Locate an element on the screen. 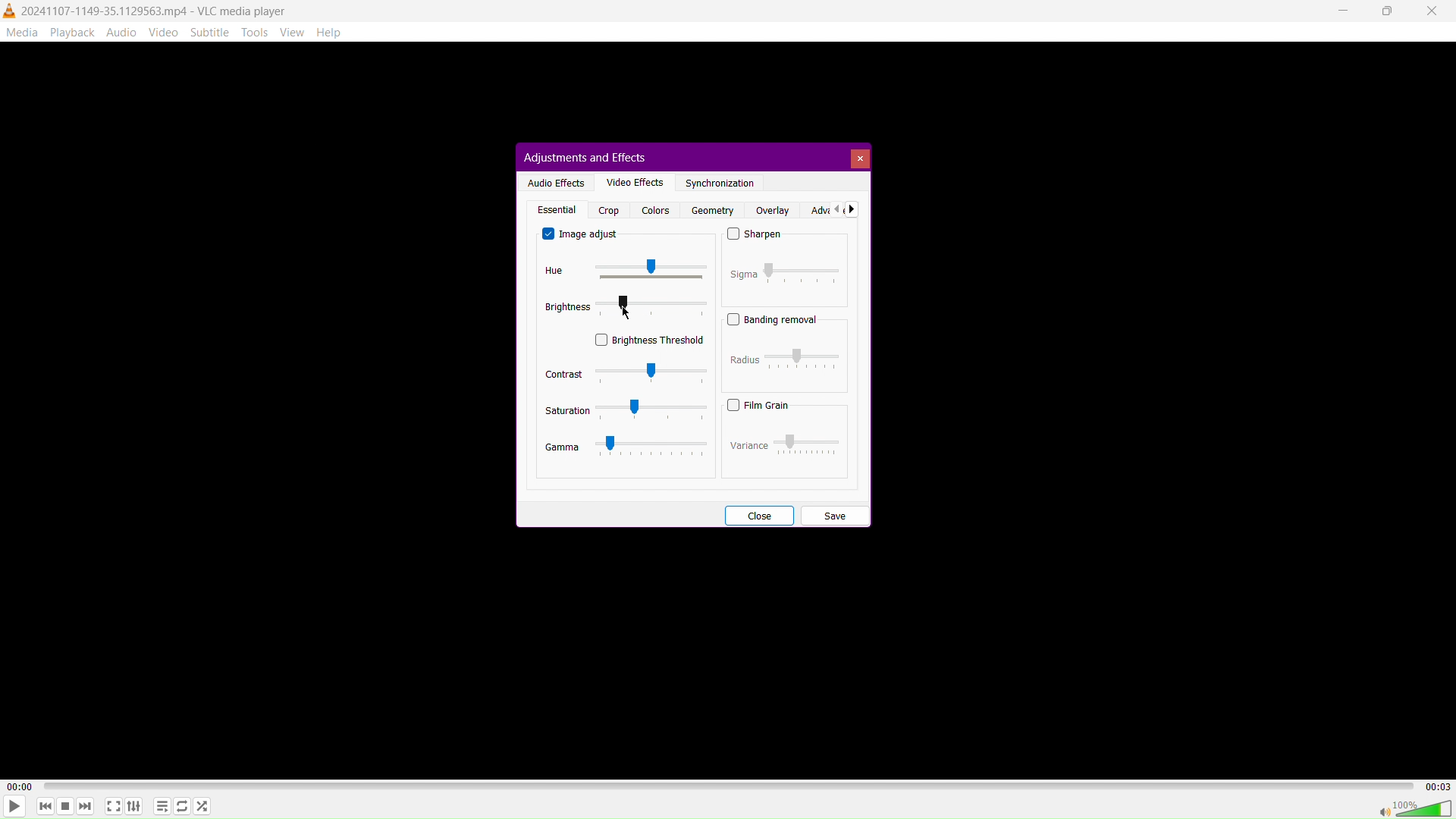 The image size is (1456, 819). View is located at coordinates (297, 32).